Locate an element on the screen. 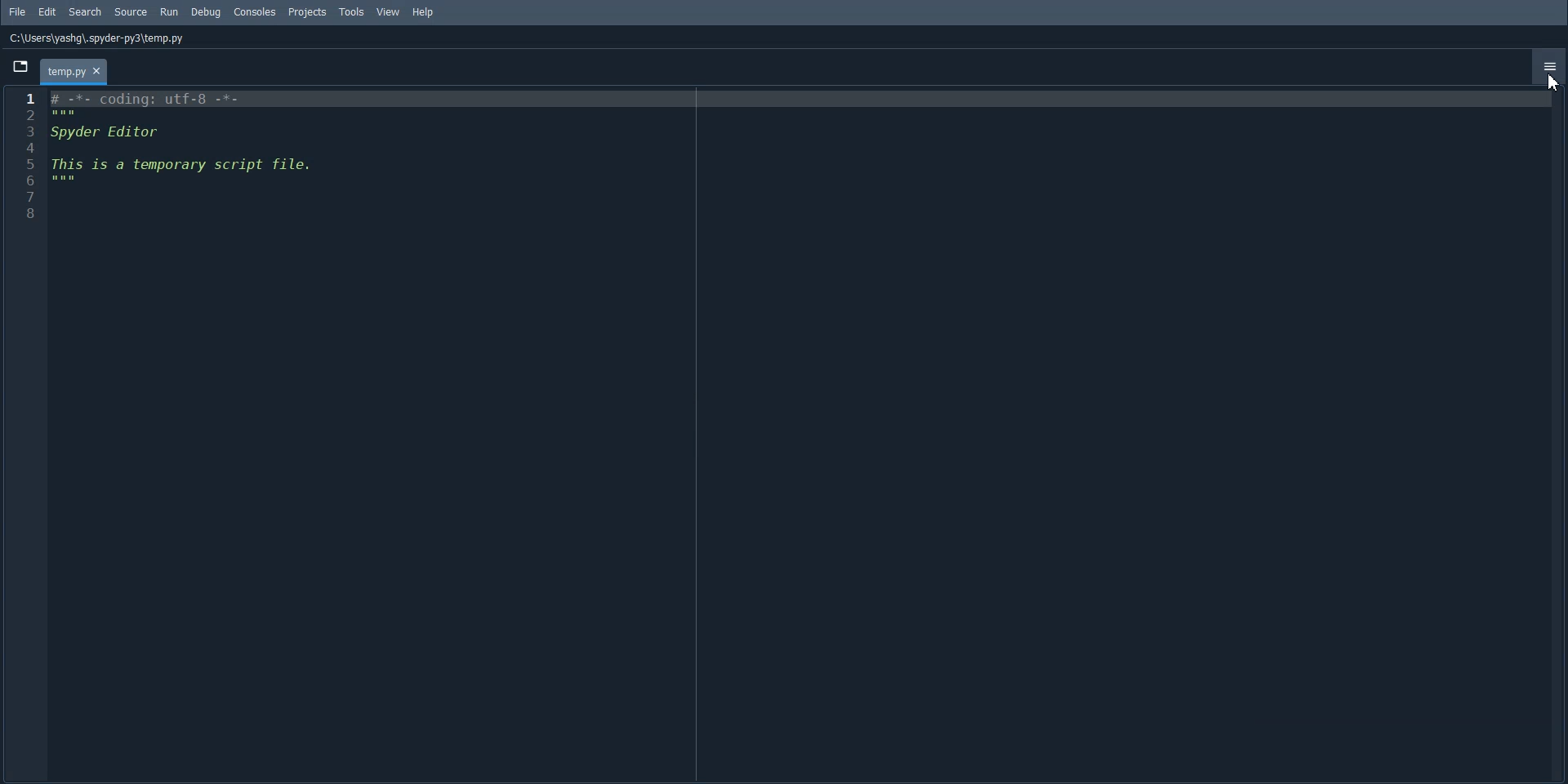 This screenshot has width=1568, height=784. Projects is located at coordinates (307, 11).